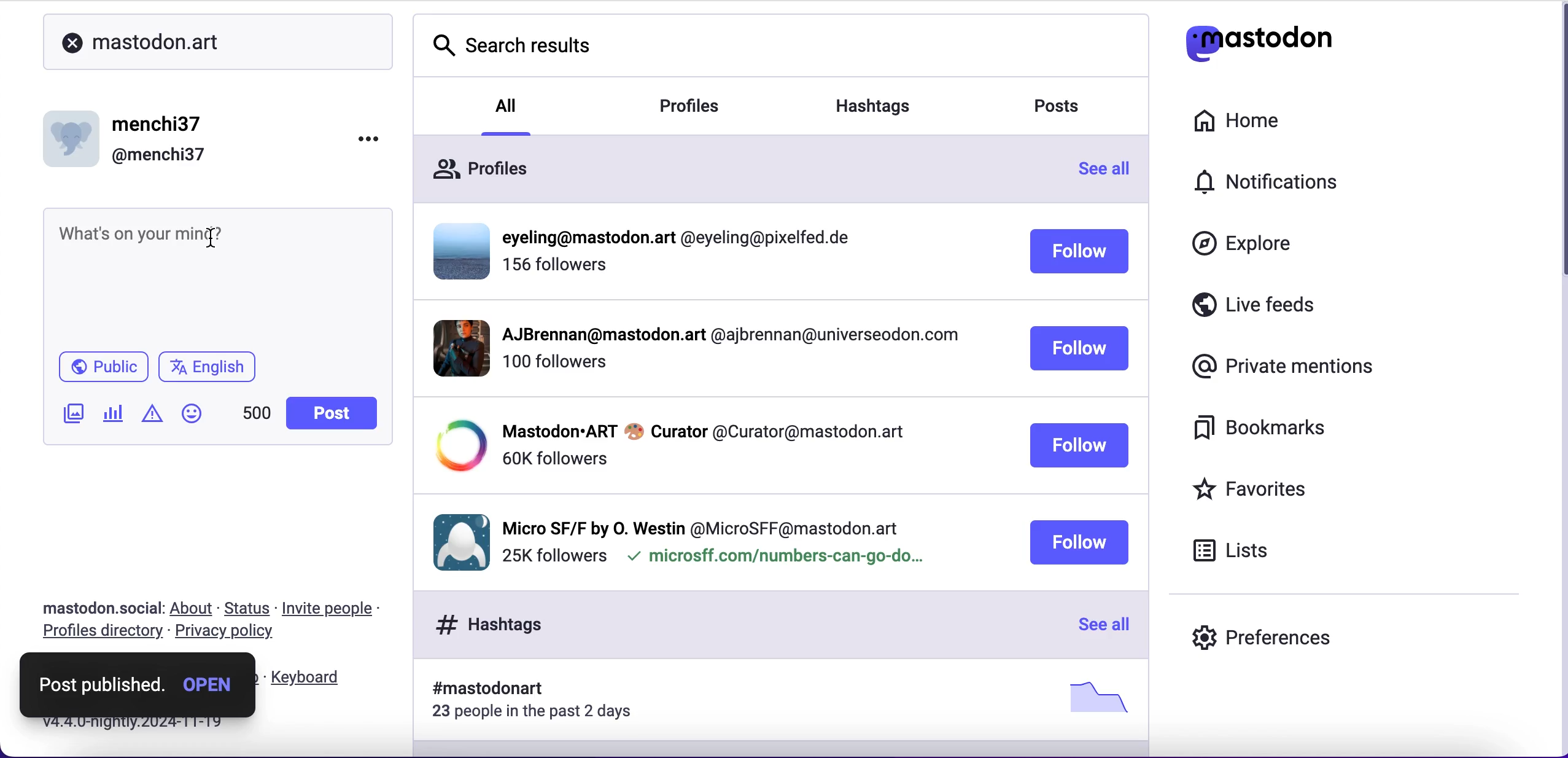 The width and height of the screenshot is (1568, 758). Describe the element at coordinates (889, 101) in the screenshot. I see `hashtags` at that location.